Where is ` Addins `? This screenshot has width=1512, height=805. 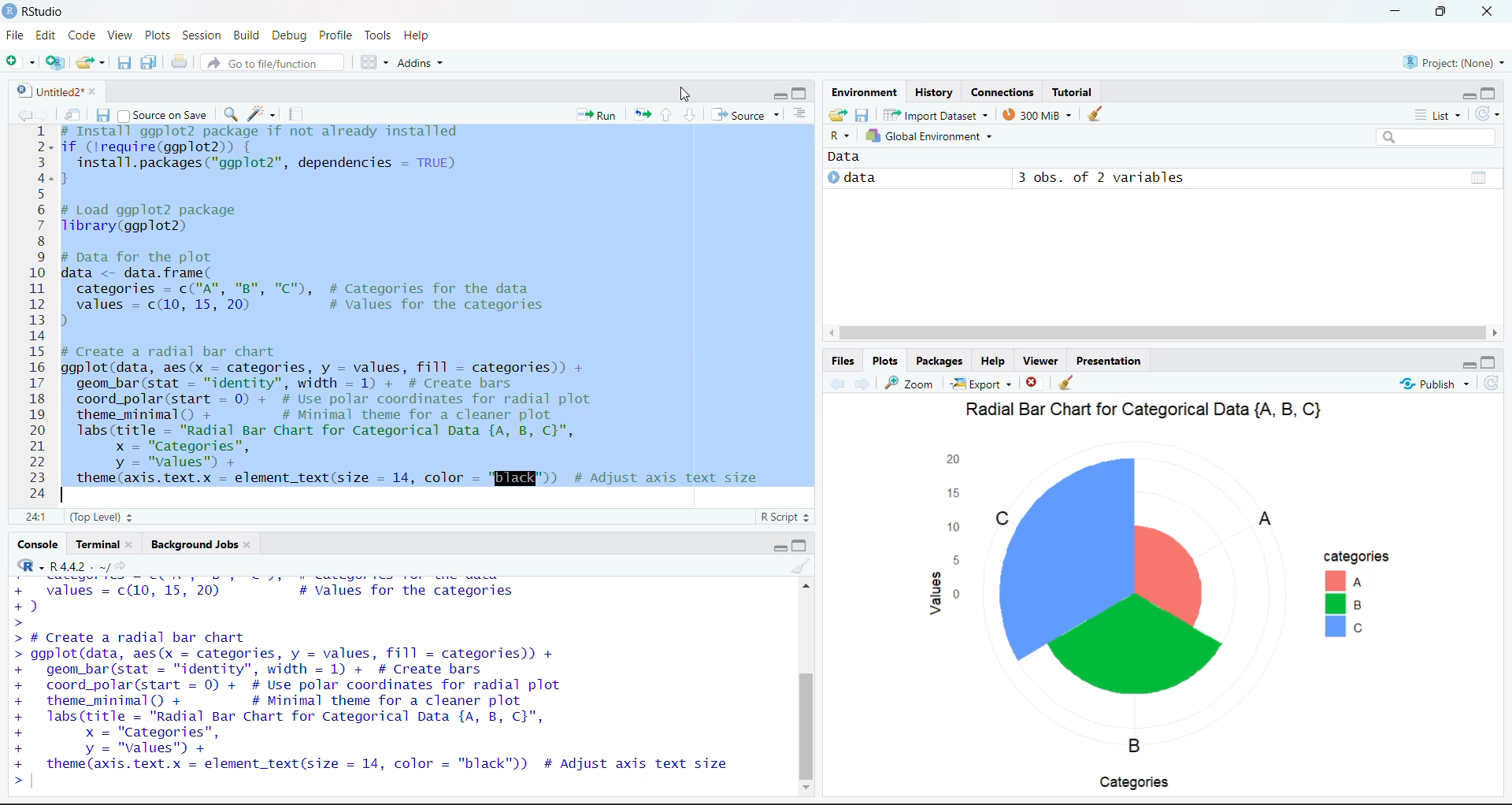
 Addins  is located at coordinates (420, 63).